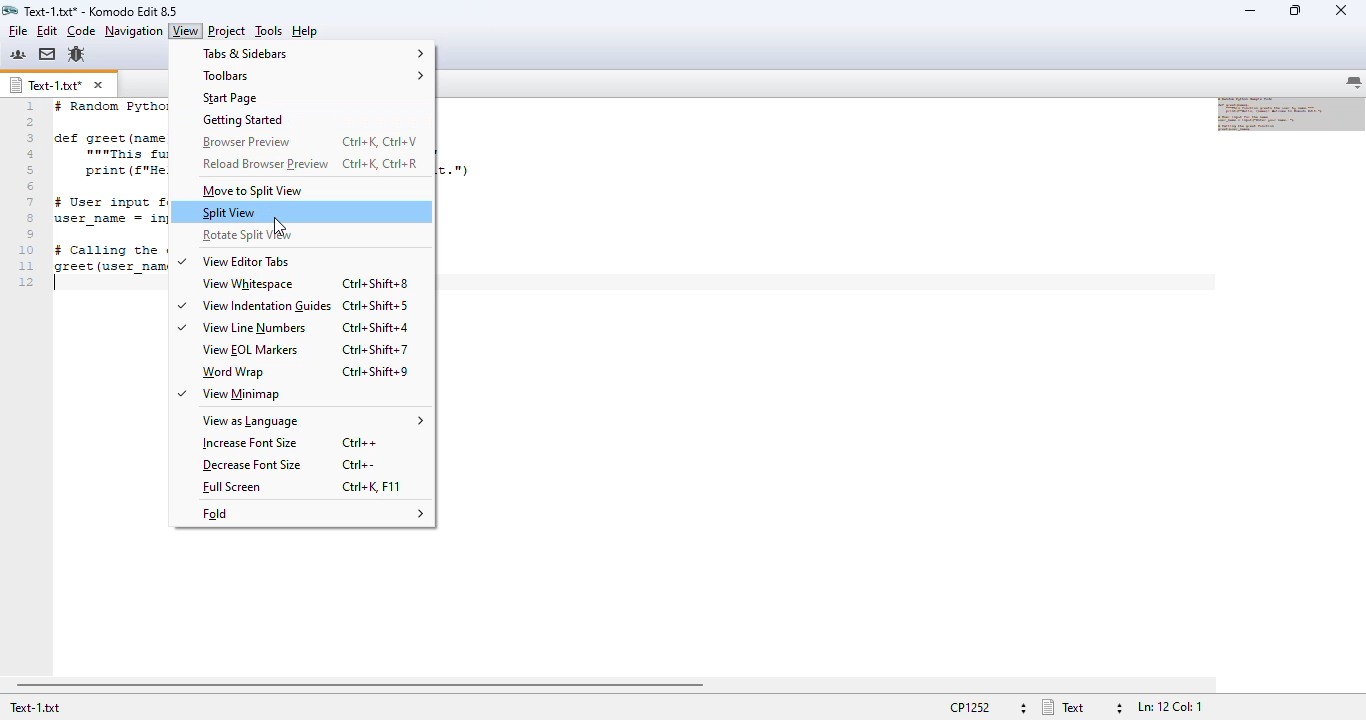 The height and width of the screenshot is (720, 1366). Describe the element at coordinates (229, 213) in the screenshot. I see `split view` at that location.